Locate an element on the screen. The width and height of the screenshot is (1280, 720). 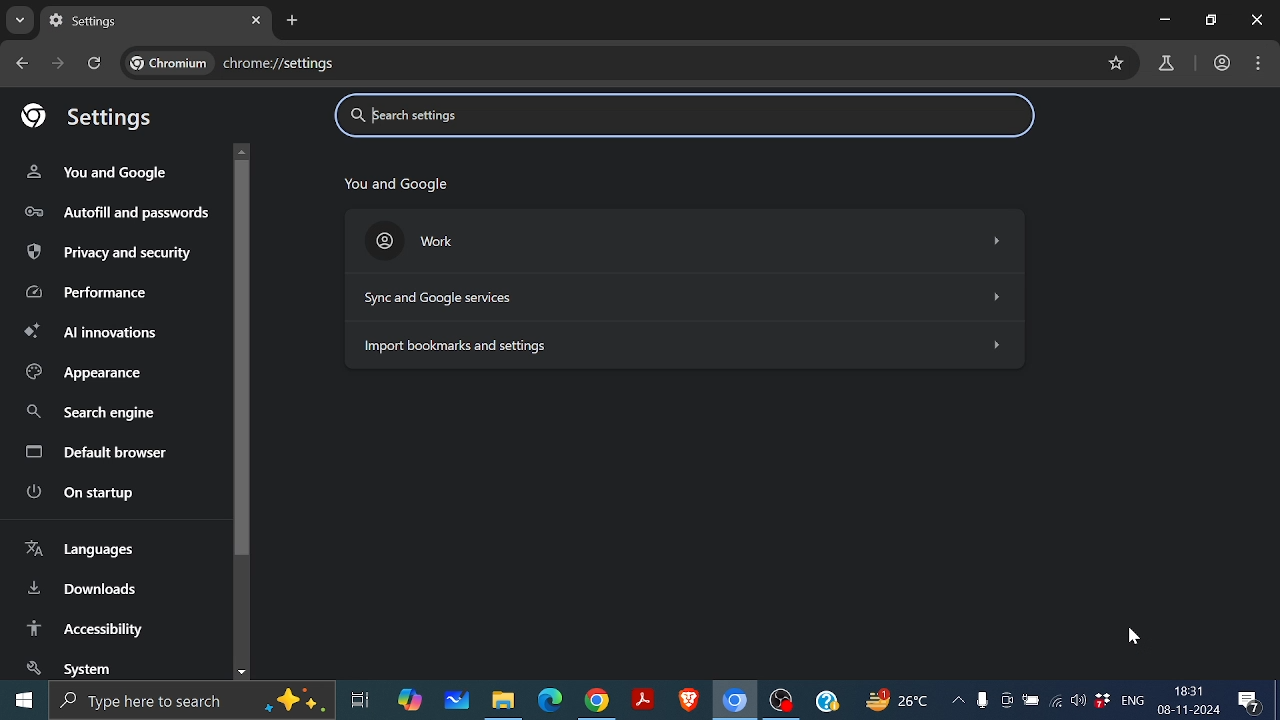
Google lab is located at coordinates (1168, 64).